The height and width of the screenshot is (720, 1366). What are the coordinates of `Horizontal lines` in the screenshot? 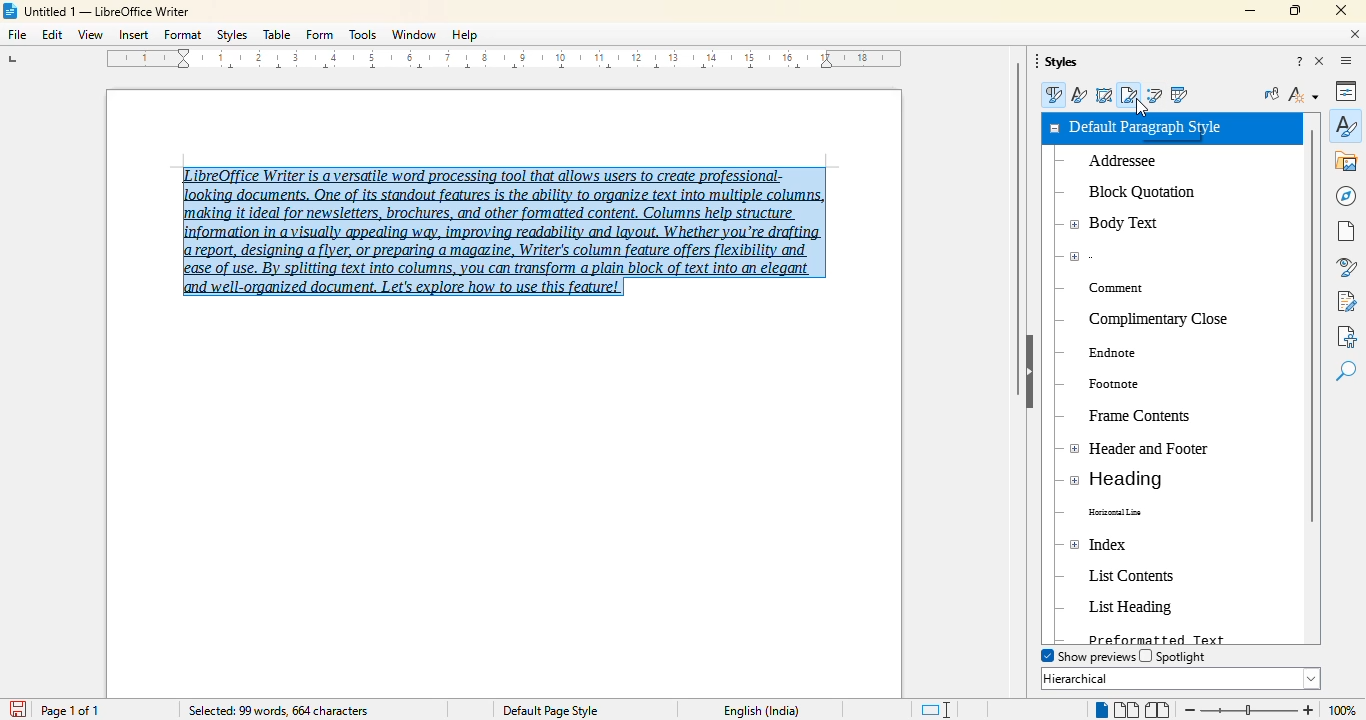 It's located at (1128, 512).